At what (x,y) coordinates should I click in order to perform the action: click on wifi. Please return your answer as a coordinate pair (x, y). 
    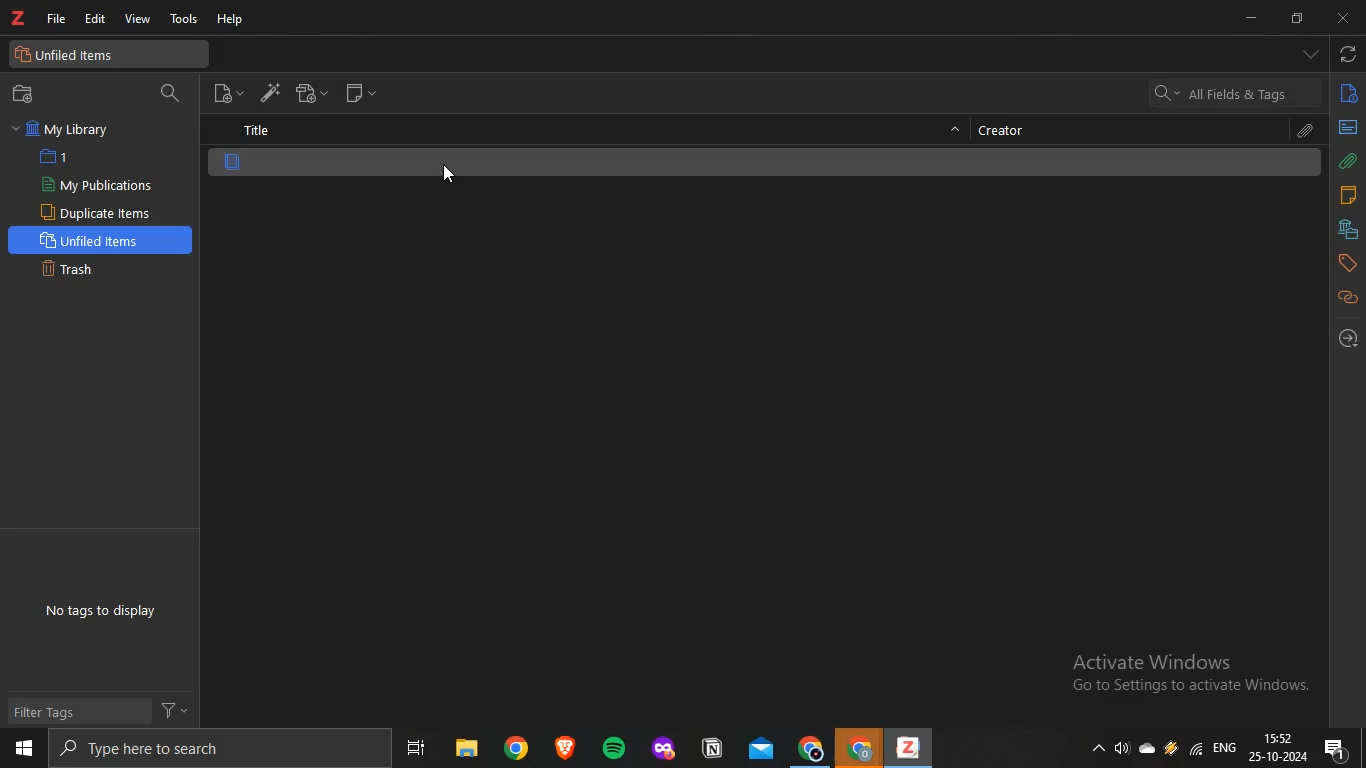
    Looking at the image, I should click on (1196, 748).